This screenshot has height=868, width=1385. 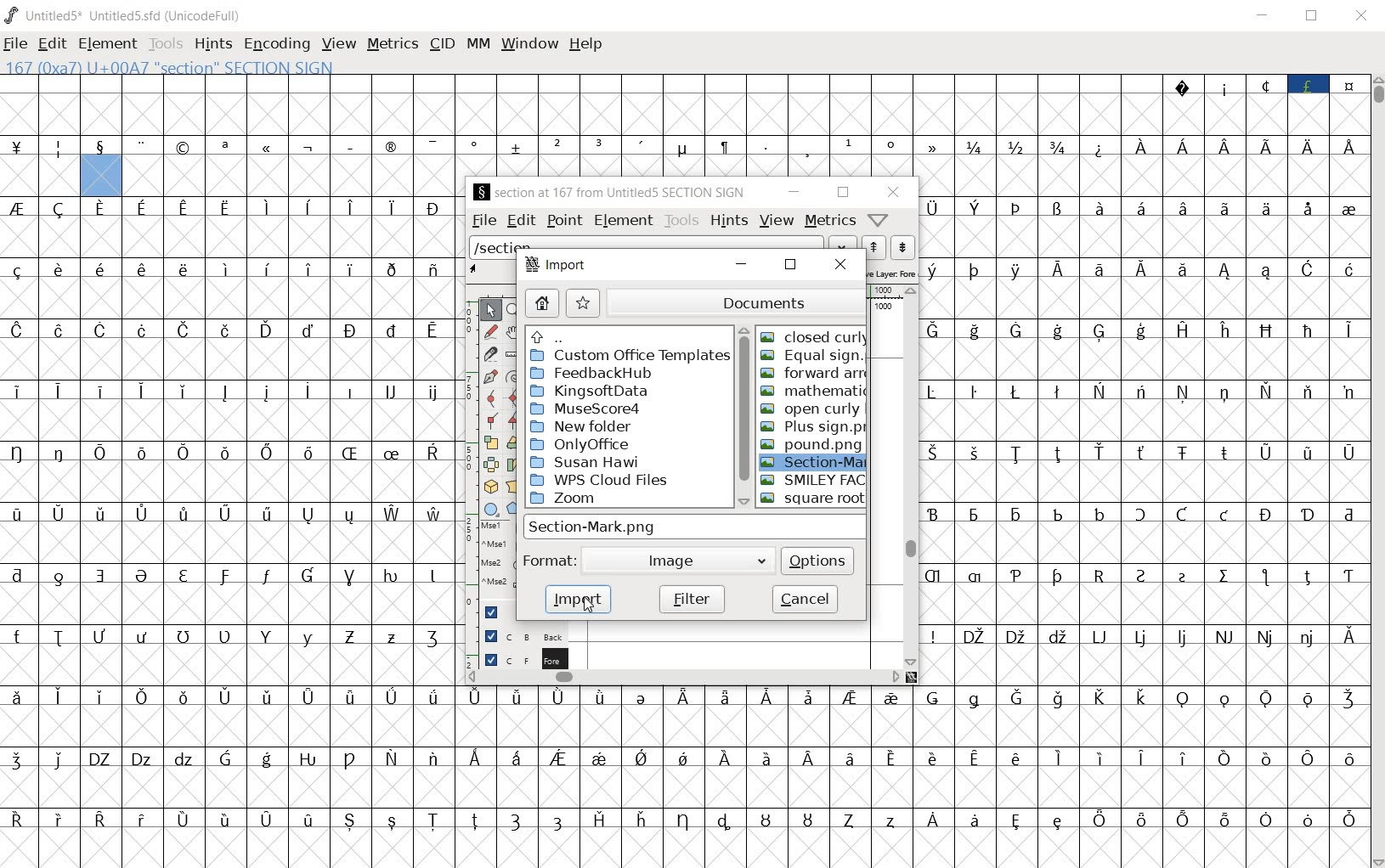 I want to click on empty cells, so click(x=231, y=421).